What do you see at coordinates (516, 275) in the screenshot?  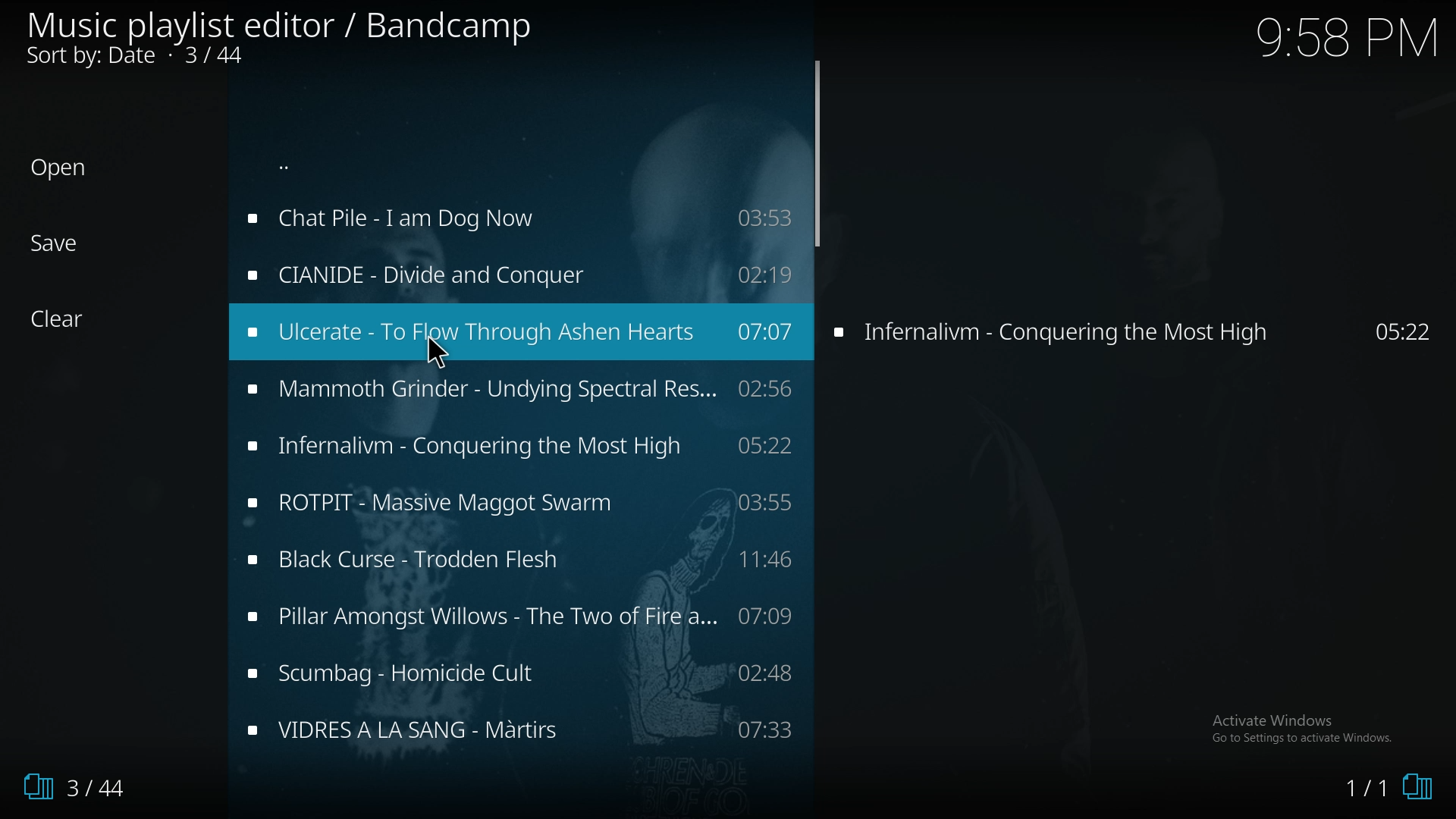 I see `music` at bounding box center [516, 275].